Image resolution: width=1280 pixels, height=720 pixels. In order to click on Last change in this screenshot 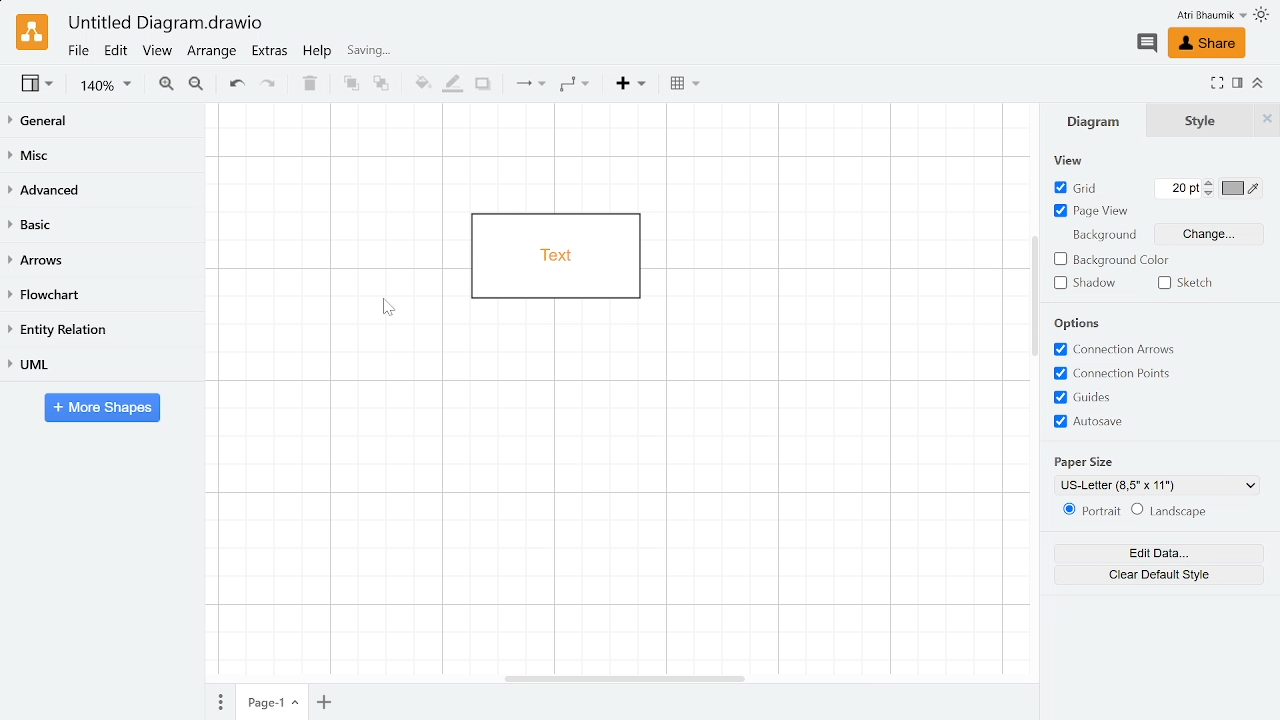, I will do `click(422, 55)`.